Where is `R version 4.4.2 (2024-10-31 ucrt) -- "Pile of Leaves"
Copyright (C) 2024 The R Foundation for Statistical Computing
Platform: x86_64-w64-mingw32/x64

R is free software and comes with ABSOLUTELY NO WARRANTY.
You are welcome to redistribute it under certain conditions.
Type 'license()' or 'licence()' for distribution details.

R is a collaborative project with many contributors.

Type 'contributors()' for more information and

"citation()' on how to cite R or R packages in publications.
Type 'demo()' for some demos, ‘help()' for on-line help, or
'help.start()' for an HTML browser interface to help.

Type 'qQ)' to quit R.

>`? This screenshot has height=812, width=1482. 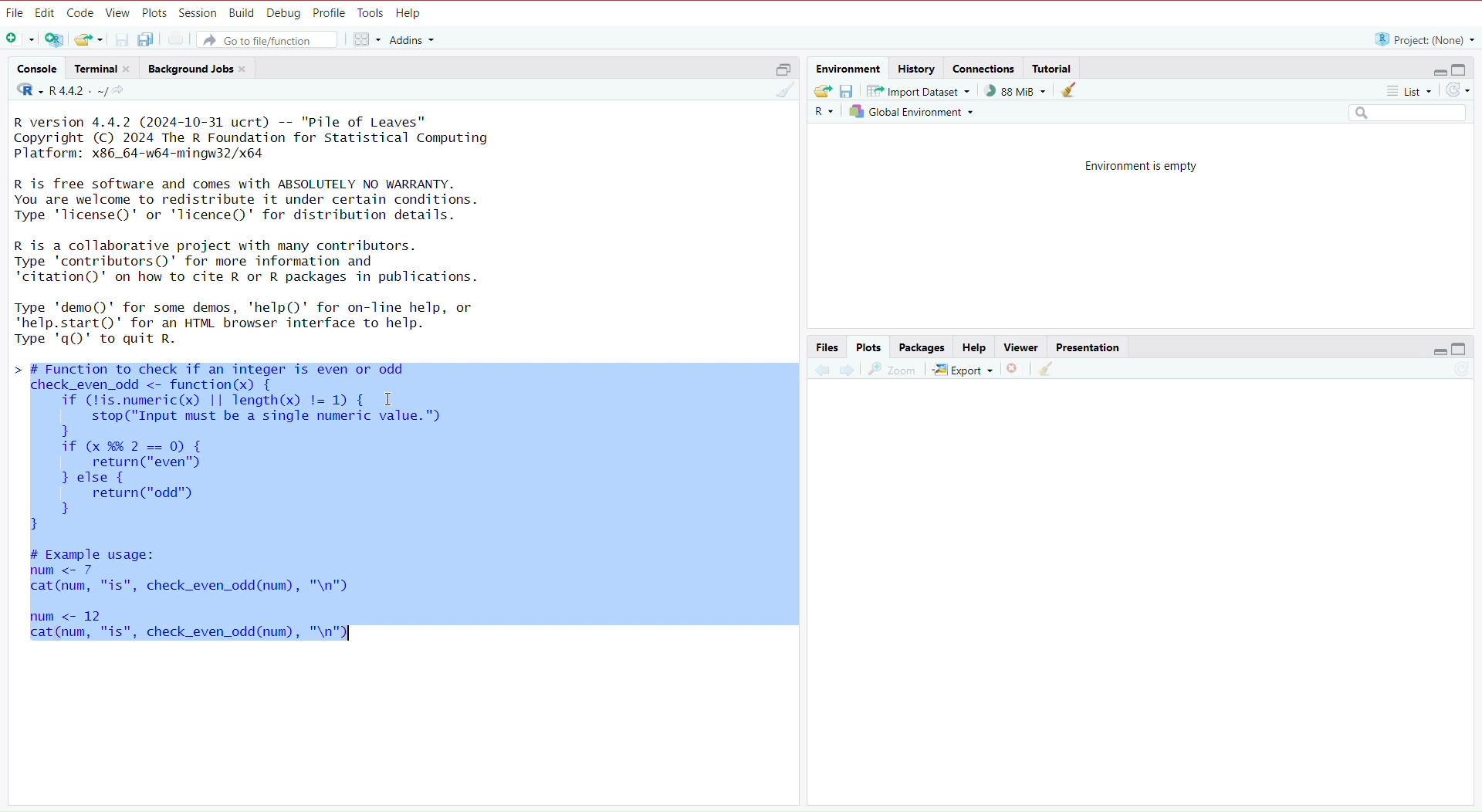 R version 4.4.2 (2024-10-31 ucrt) -- "Pile of Leaves"
Copyright (C) 2024 The R Foundation for Statistical Computing
Platform: x86_64-w64-mingw32/x64

R is free software and comes with ABSOLUTELY NO WARRANTY.
You are welcome to redistribute it under certain conditions.
Type 'license()' or 'licence()' for distribution details.

R is a collaborative project with many contributors.

Type 'contributors()' for more information and

"citation()' on how to cite R or R packages in publications.
Type 'demo()' for some demos, ‘help()' for on-line help, or
'help.start()' for an HTML browser interface to help.

Type 'qQ)' to quit R.

> is located at coordinates (279, 231).